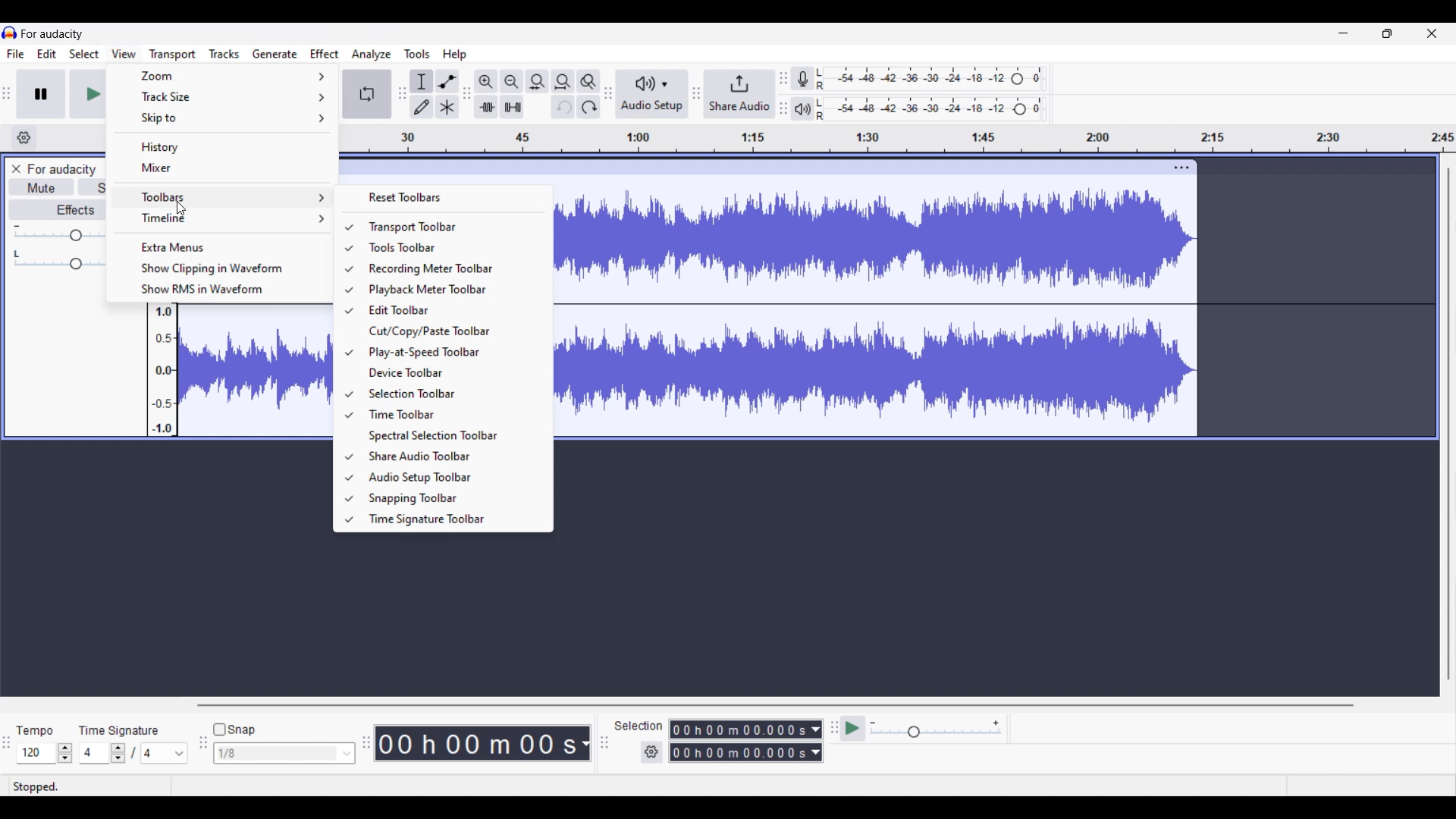  I want to click on Vertical slide bar, so click(1448, 425).